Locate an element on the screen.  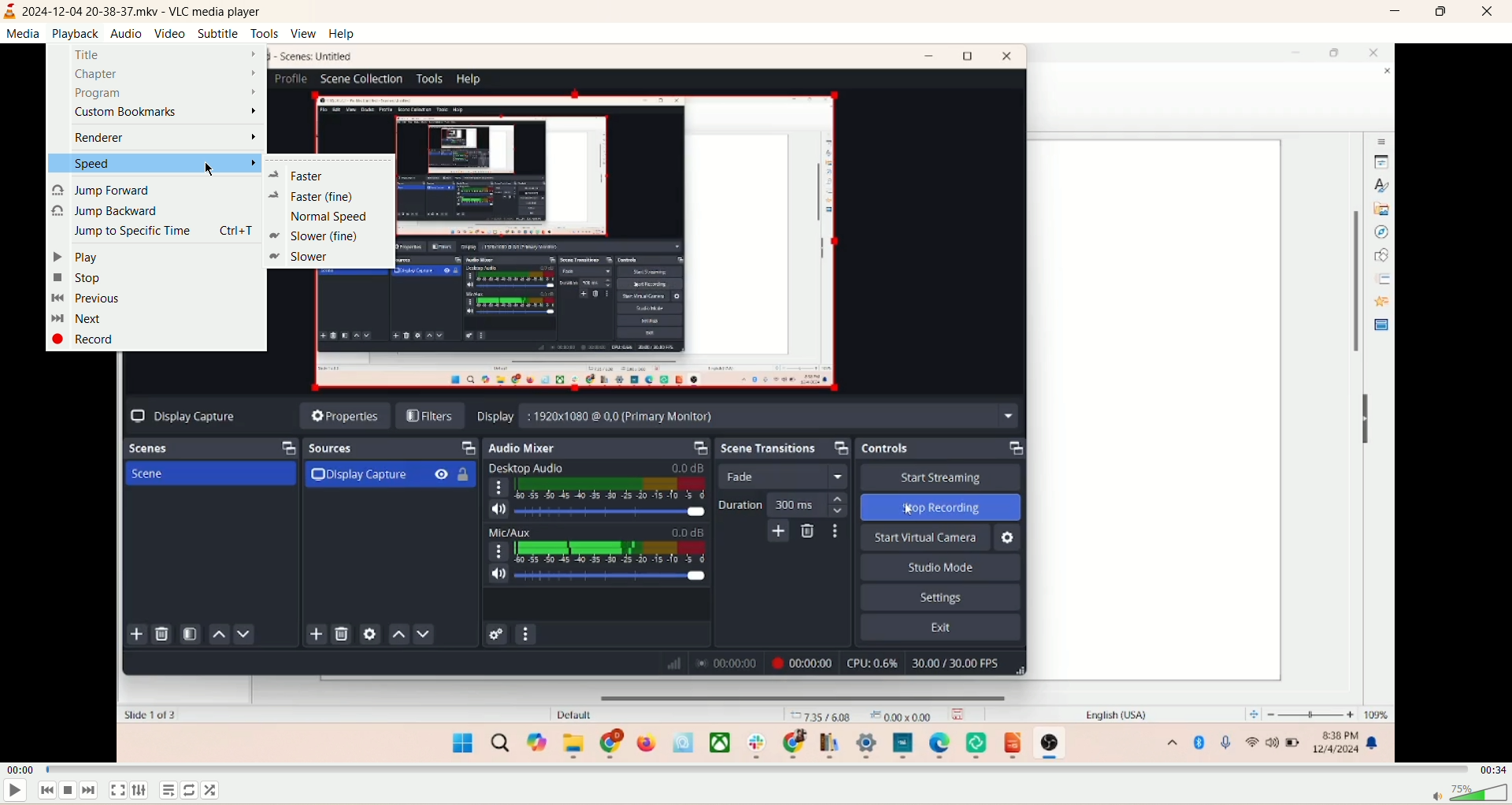
close is located at coordinates (1490, 13).